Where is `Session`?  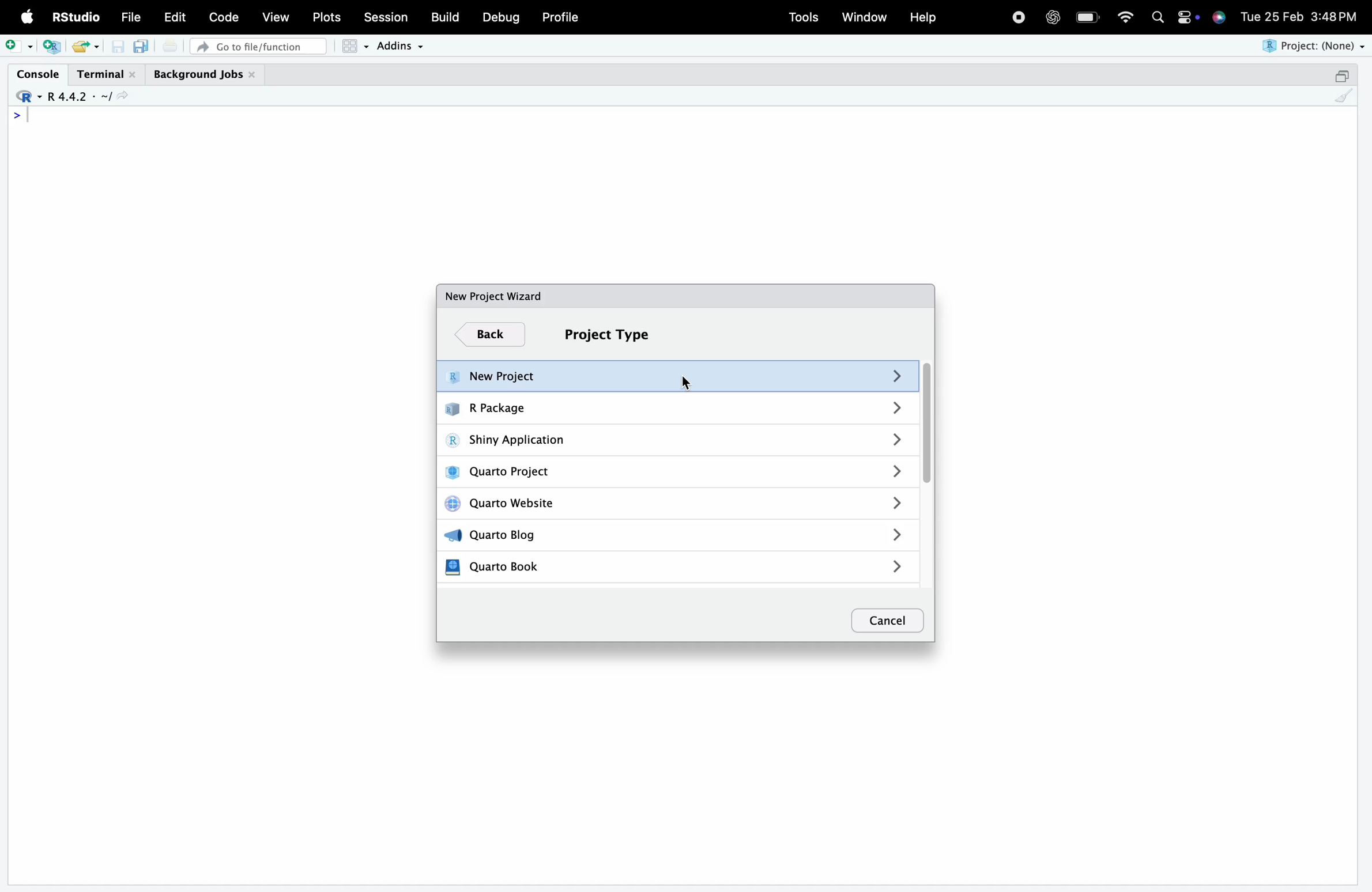
Session is located at coordinates (386, 16).